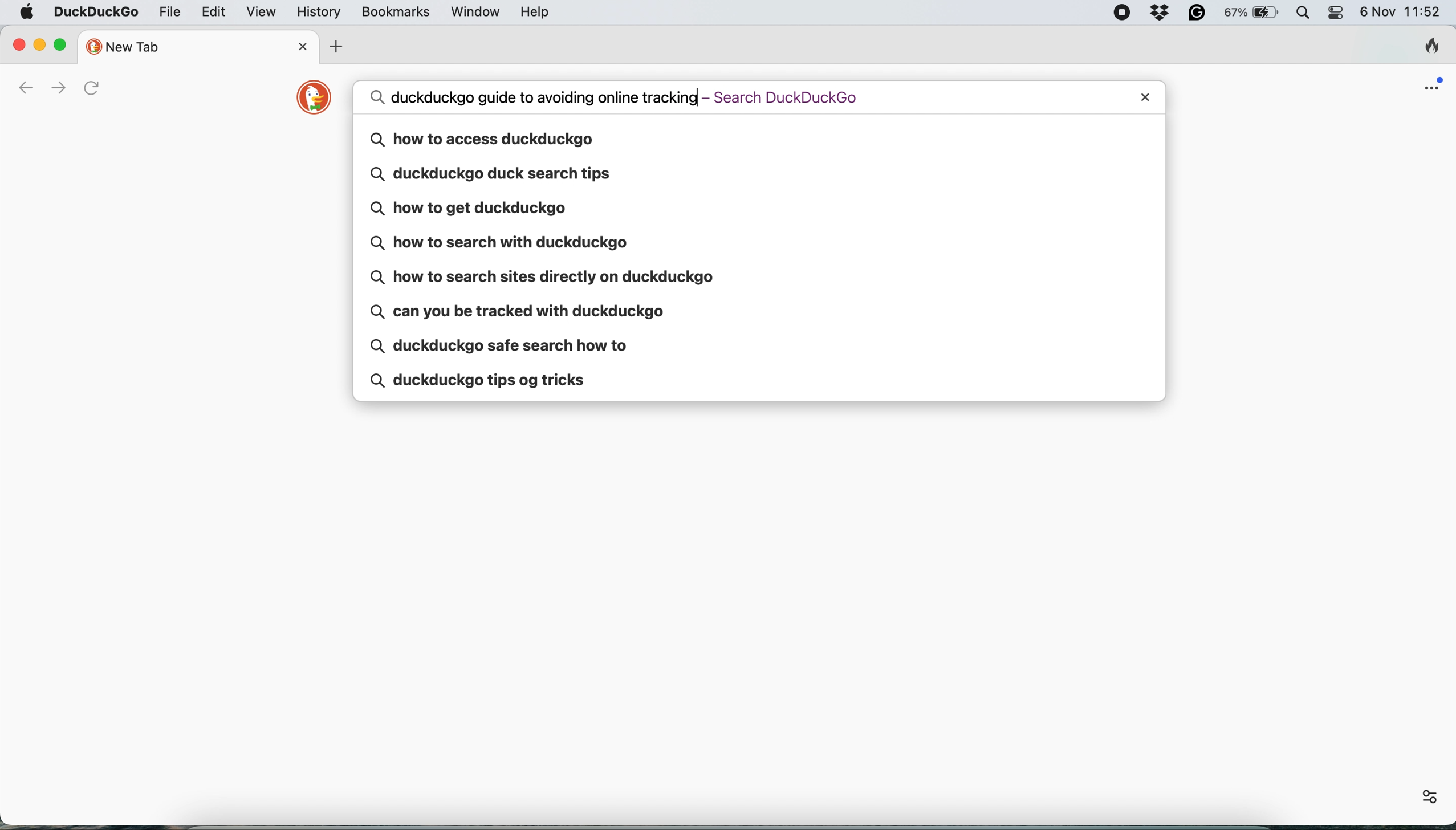 This screenshot has height=830, width=1456. Describe the element at coordinates (59, 86) in the screenshot. I see `go forward` at that location.